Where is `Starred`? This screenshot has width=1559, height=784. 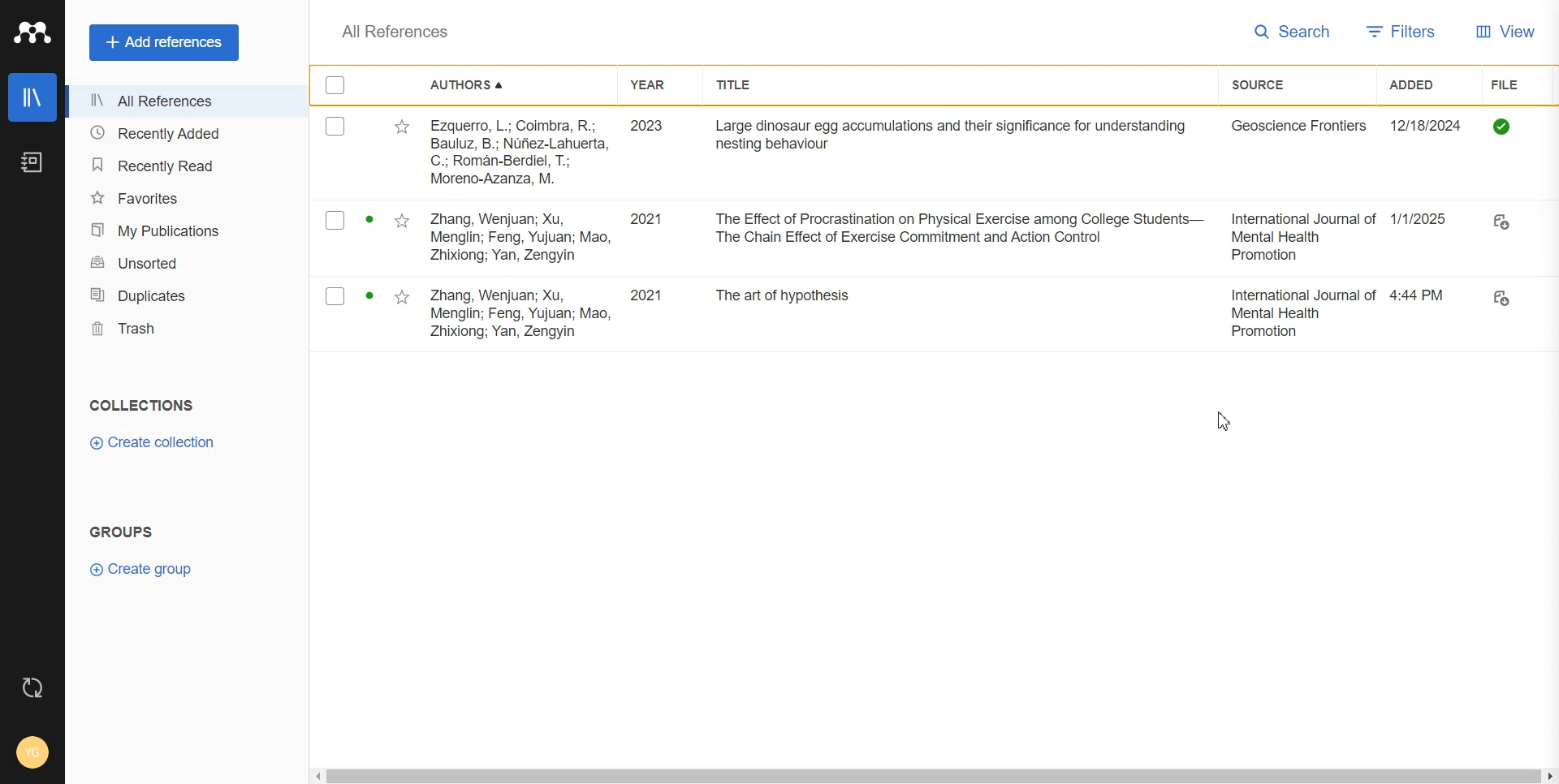
Starred is located at coordinates (400, 126).